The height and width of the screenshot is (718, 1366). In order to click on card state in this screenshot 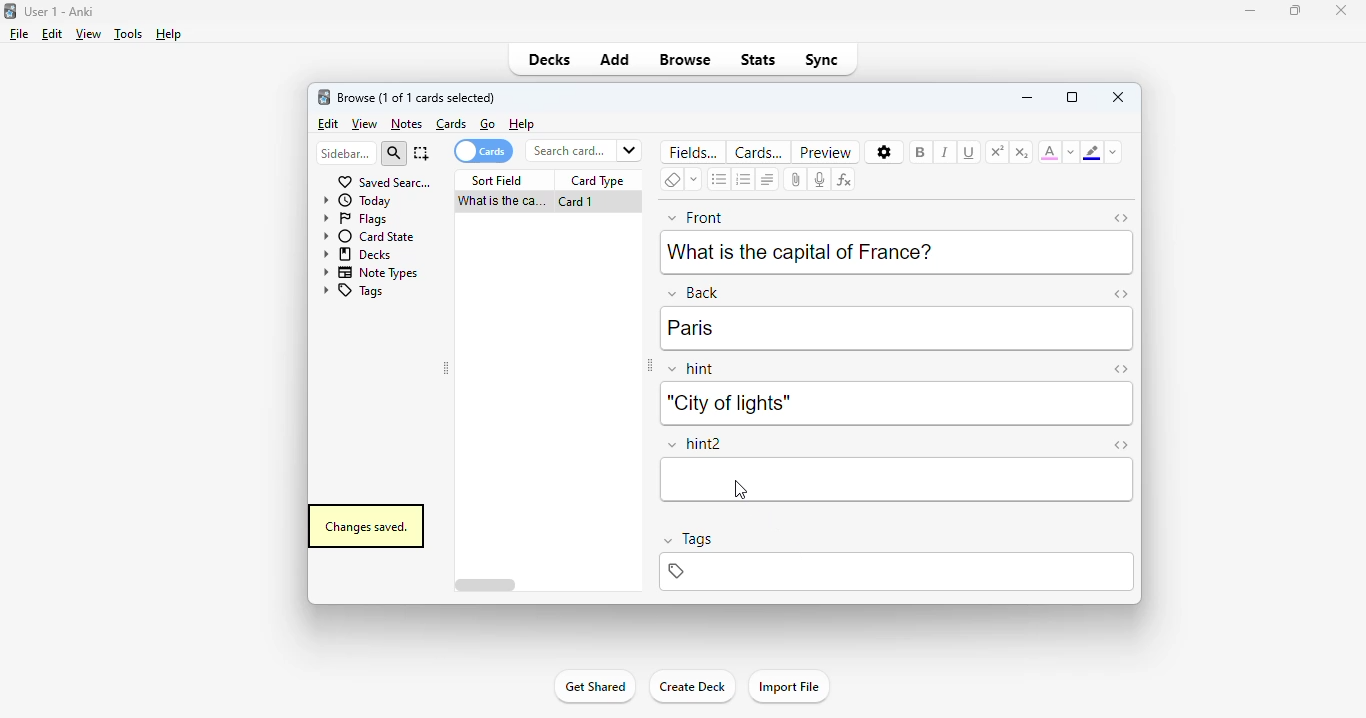, I will do `click(368, 236)`.